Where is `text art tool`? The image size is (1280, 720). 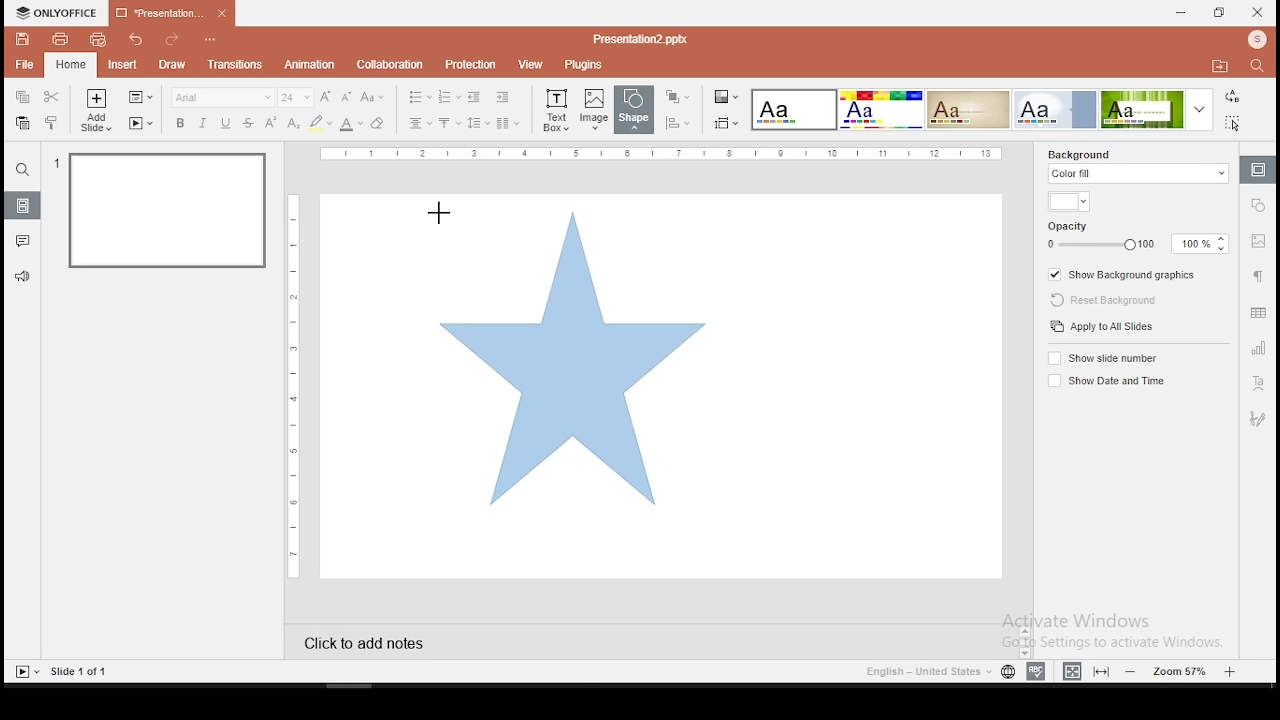
text art tool is located at coordinates (1256, 385).